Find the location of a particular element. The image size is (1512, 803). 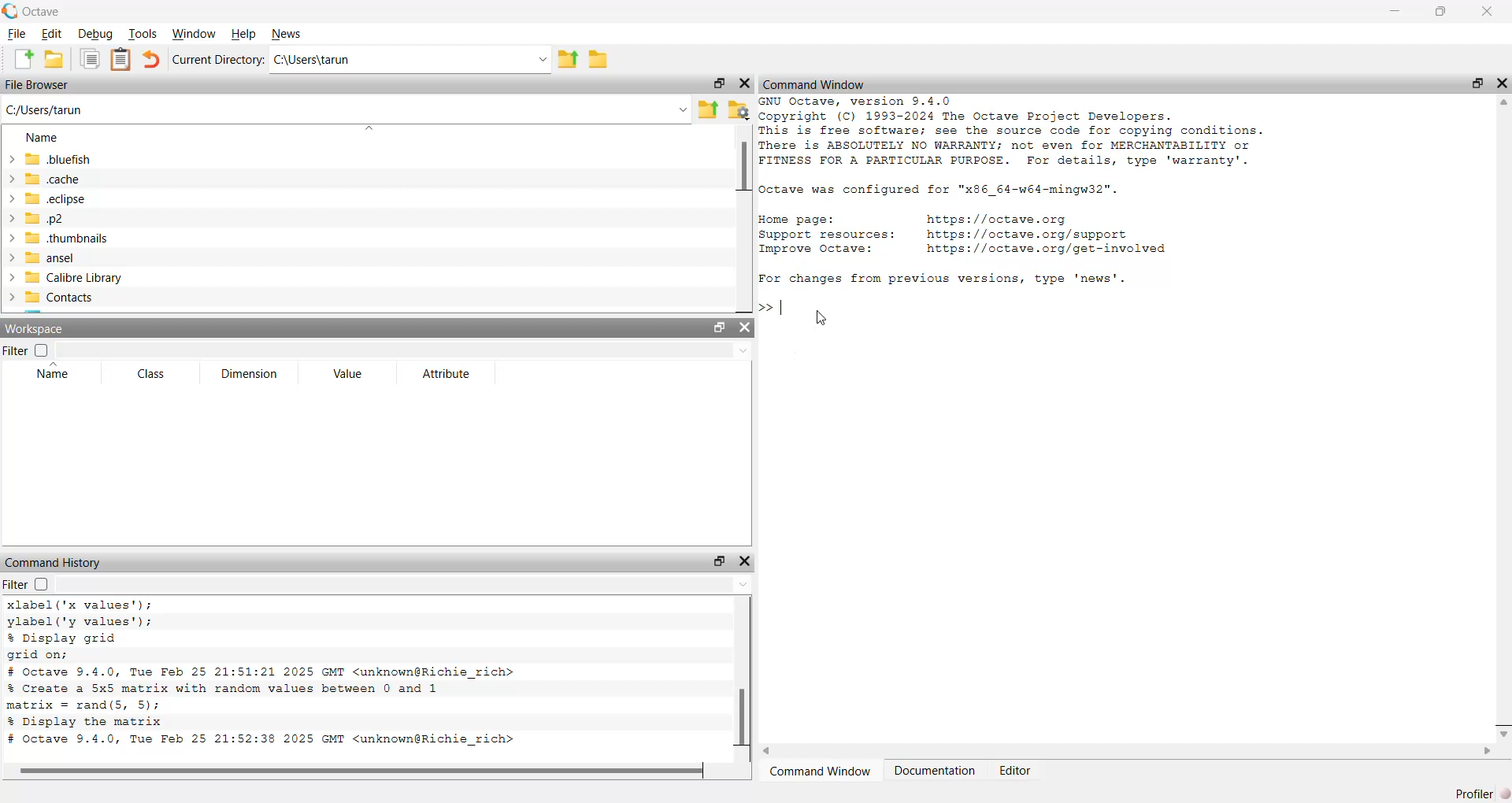

maximise is located at coordinates (713, 329).